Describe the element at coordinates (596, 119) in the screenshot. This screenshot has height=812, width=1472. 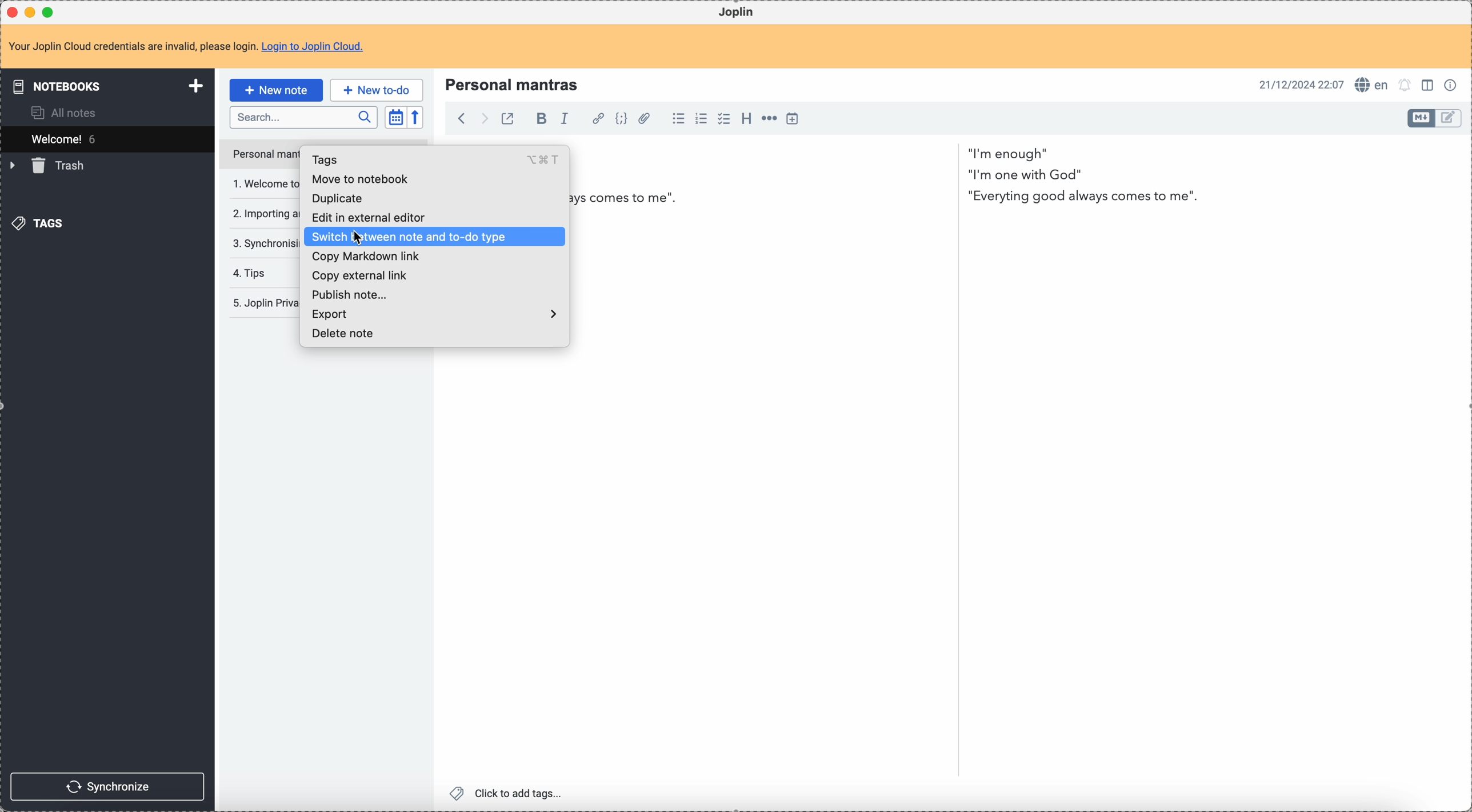
I see `hyperlink` at that location.